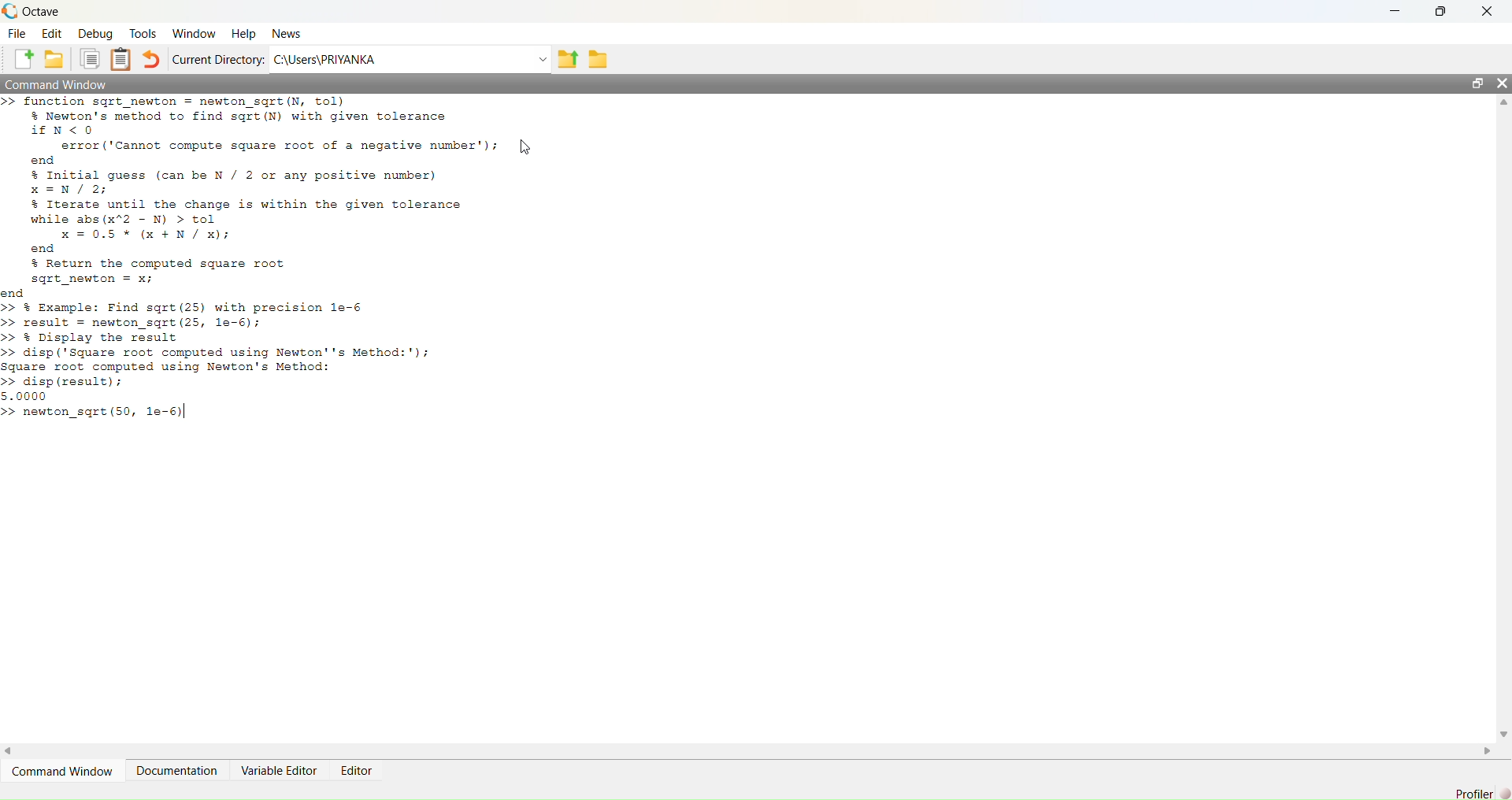  What do you see at coordinates (400, 59) in the screenshot?
I see `C:/Users?PRIYANKA` at bounding box center [400, 59].